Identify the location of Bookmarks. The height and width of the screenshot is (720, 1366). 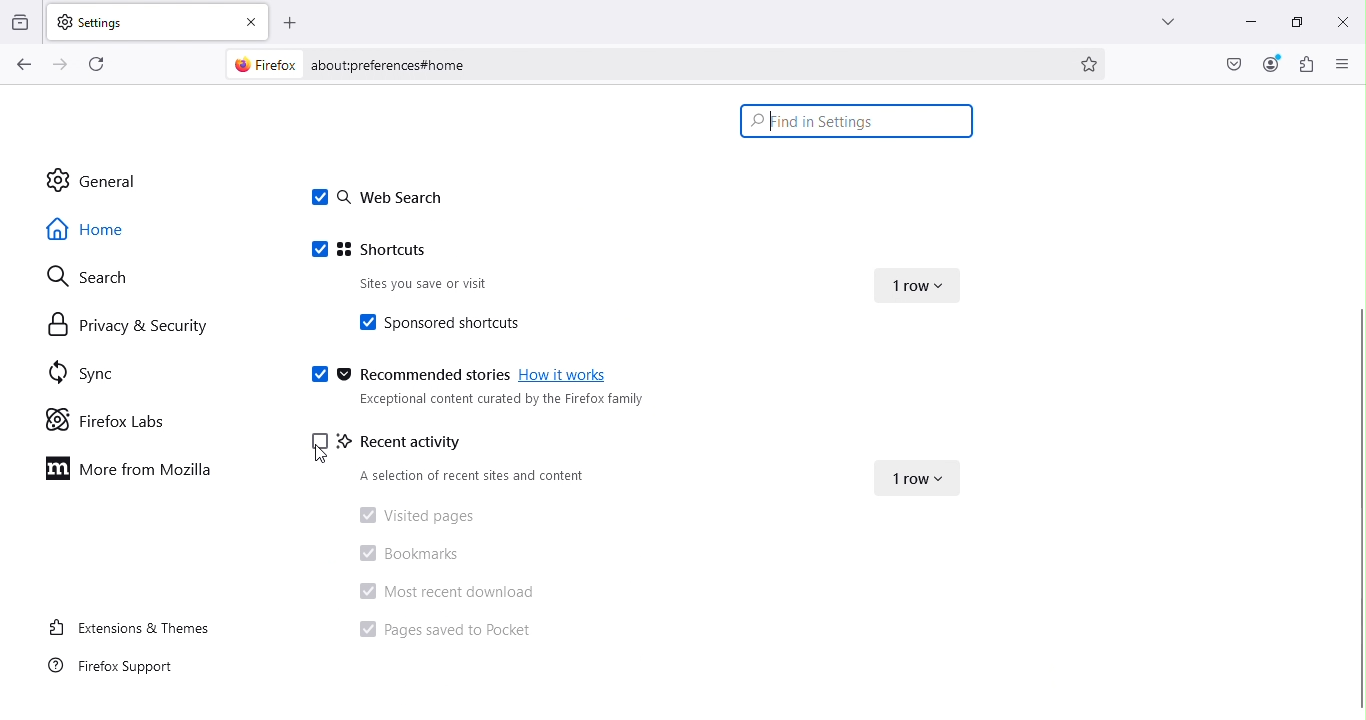
(407, 552).